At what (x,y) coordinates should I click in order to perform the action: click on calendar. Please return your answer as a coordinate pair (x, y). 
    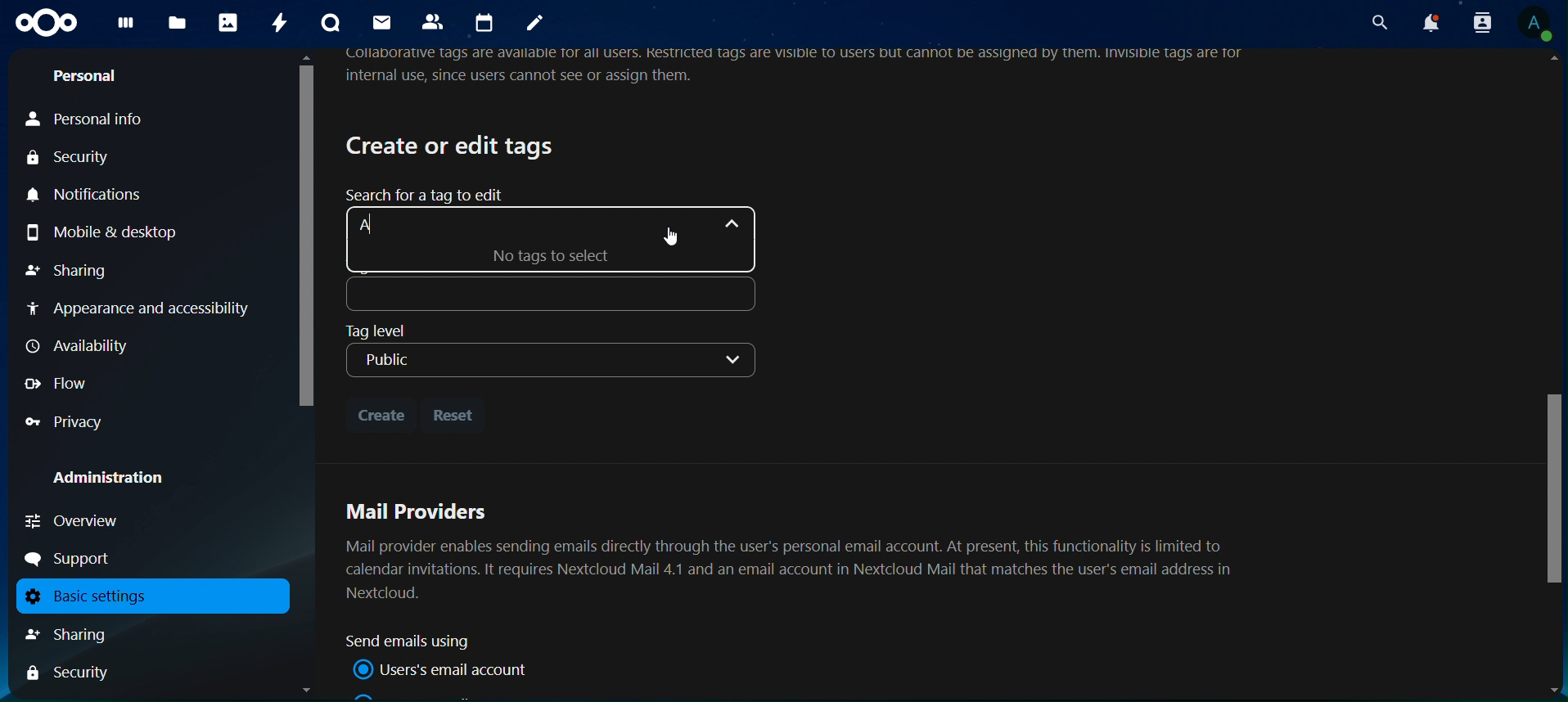
    Looking at the image, I should click on (487, 23).